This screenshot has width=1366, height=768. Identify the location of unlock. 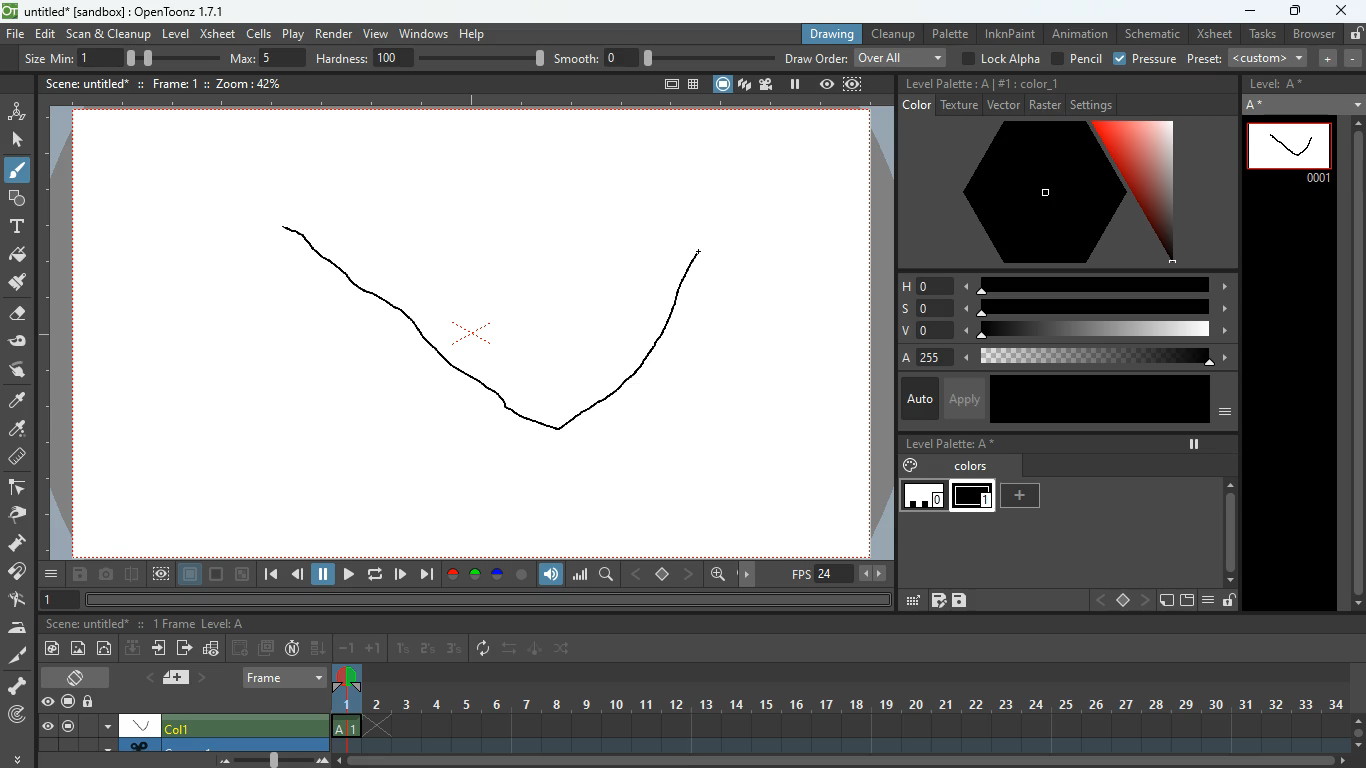
(1355, 33).